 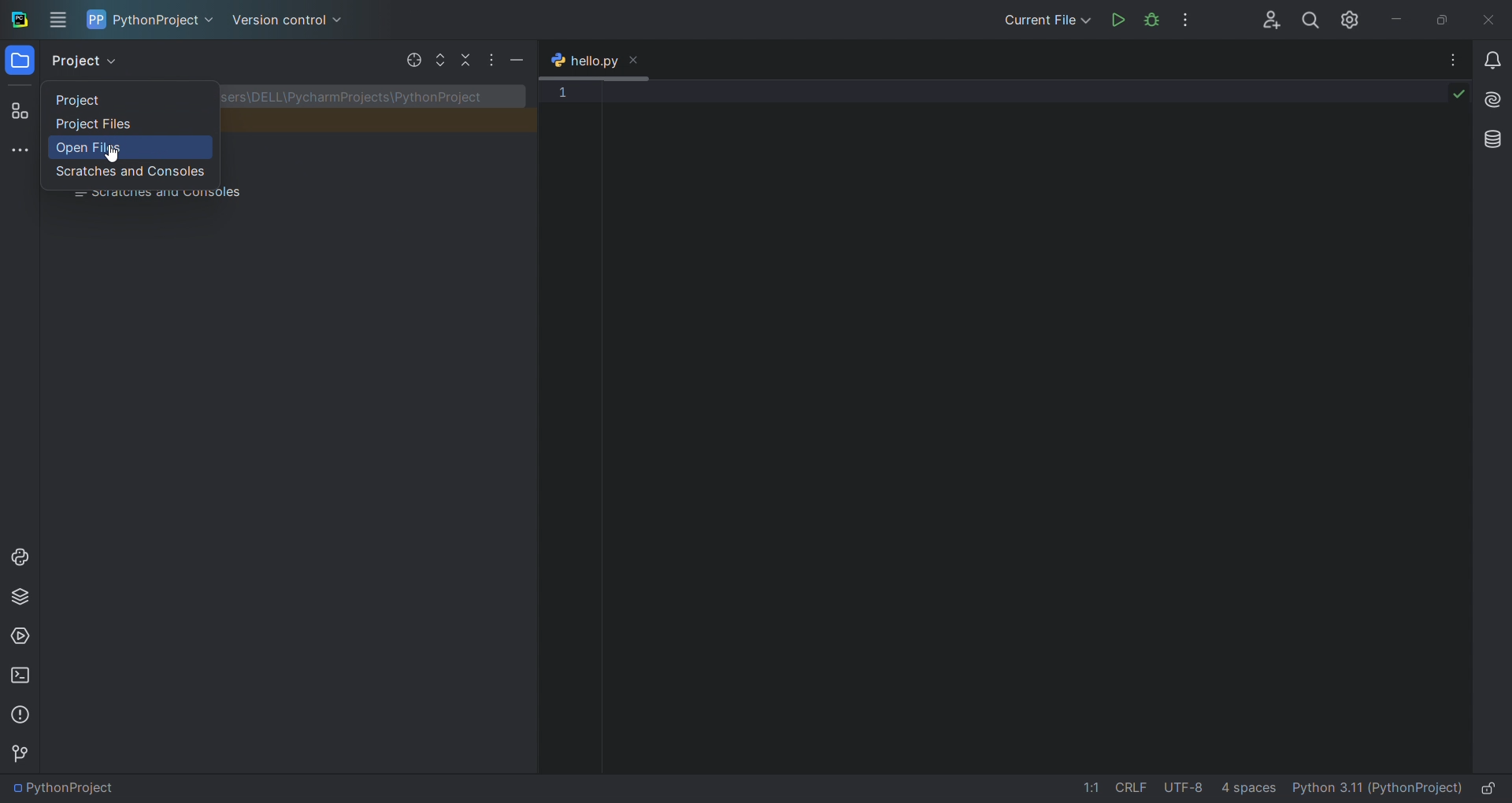 What do you see at coordinates (412, 59) in the screenshot?
I see `select file` at bounding box center [412, 59].